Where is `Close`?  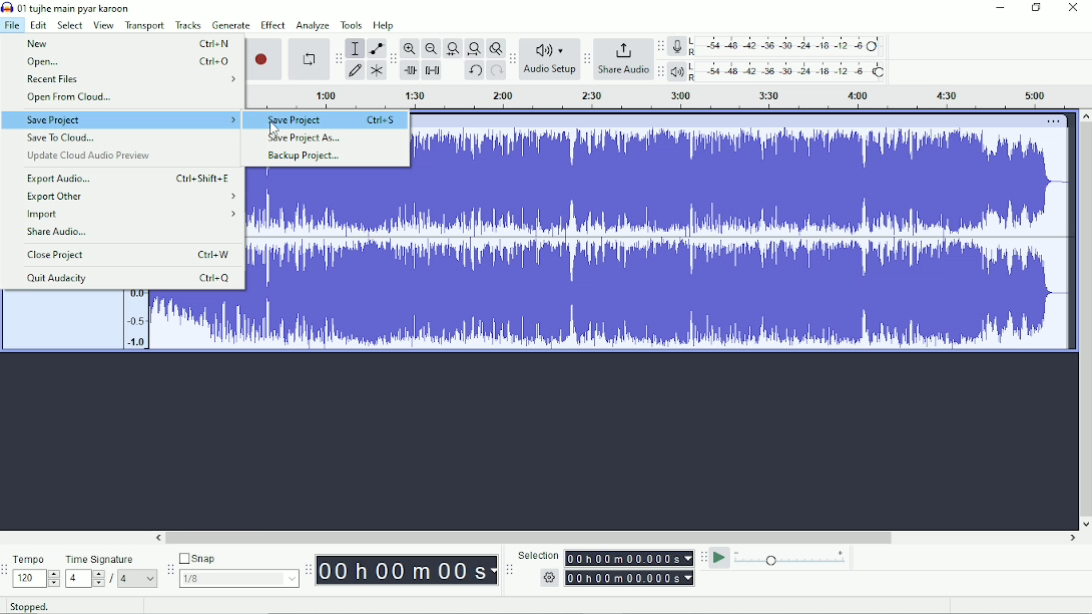 Close is located at coordinates (1073, 9).